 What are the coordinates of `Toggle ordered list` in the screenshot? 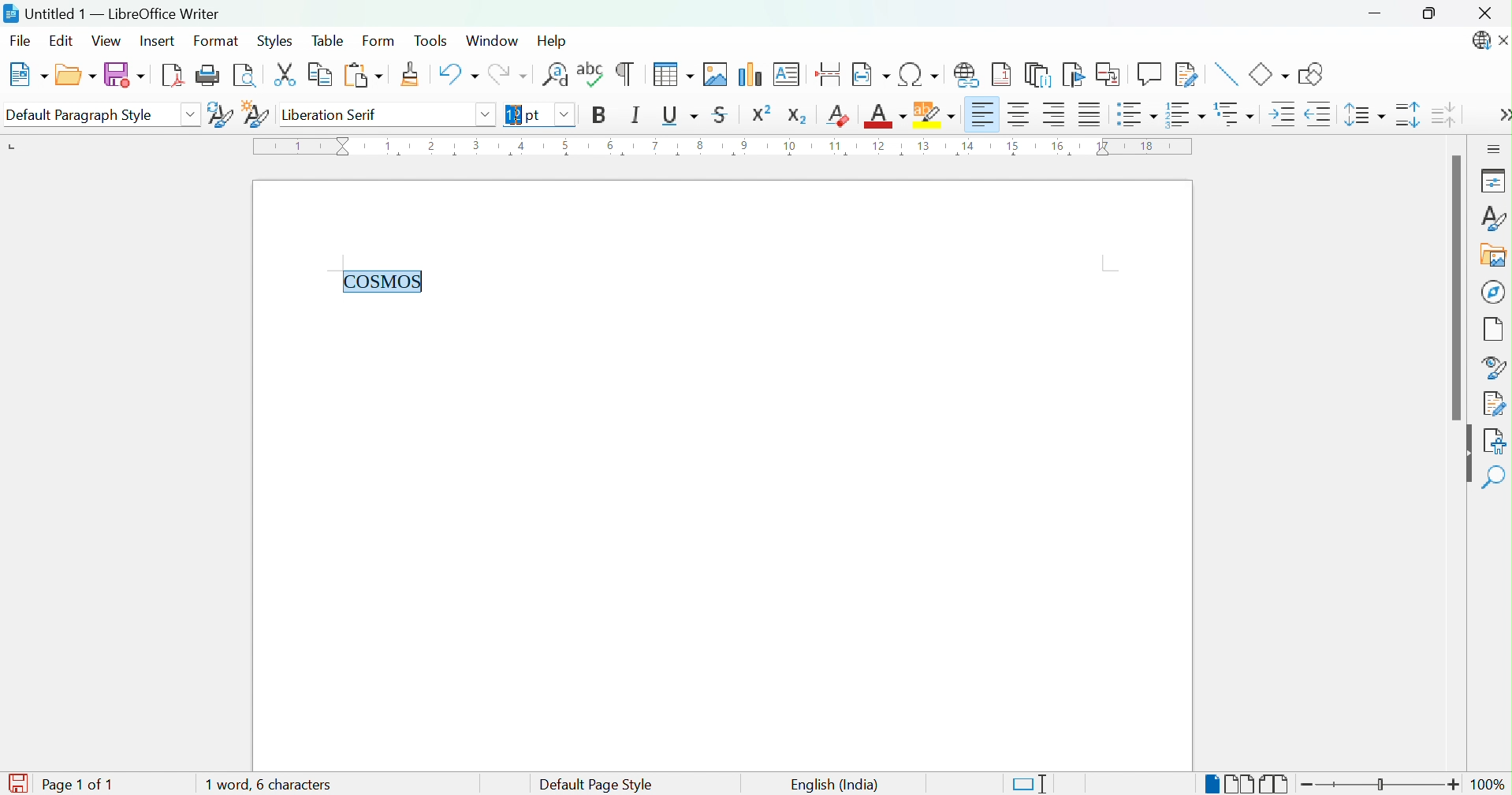 It's located at (1187, 114).